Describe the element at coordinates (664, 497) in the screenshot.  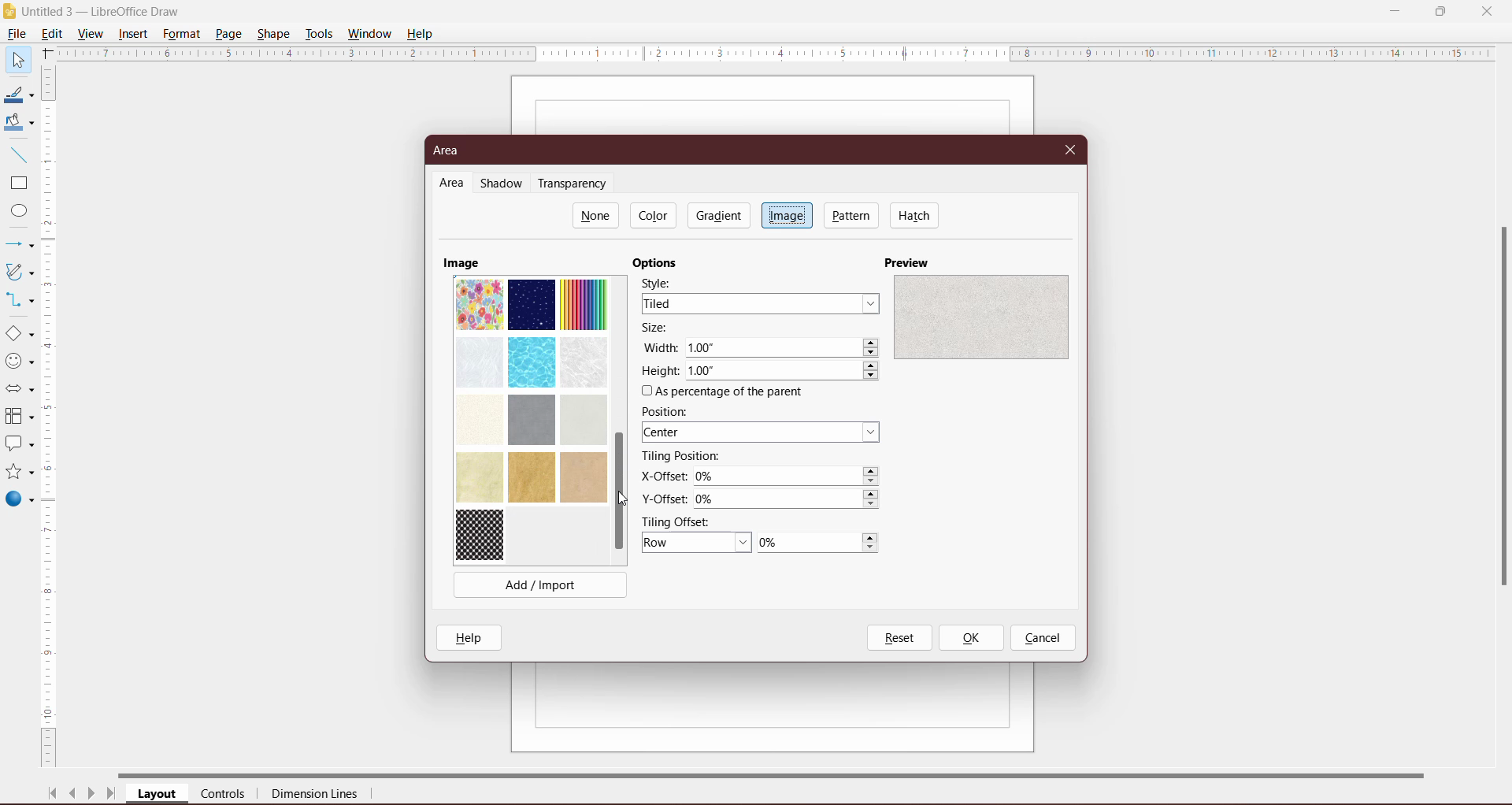
I see `Y-Offset` at that location.